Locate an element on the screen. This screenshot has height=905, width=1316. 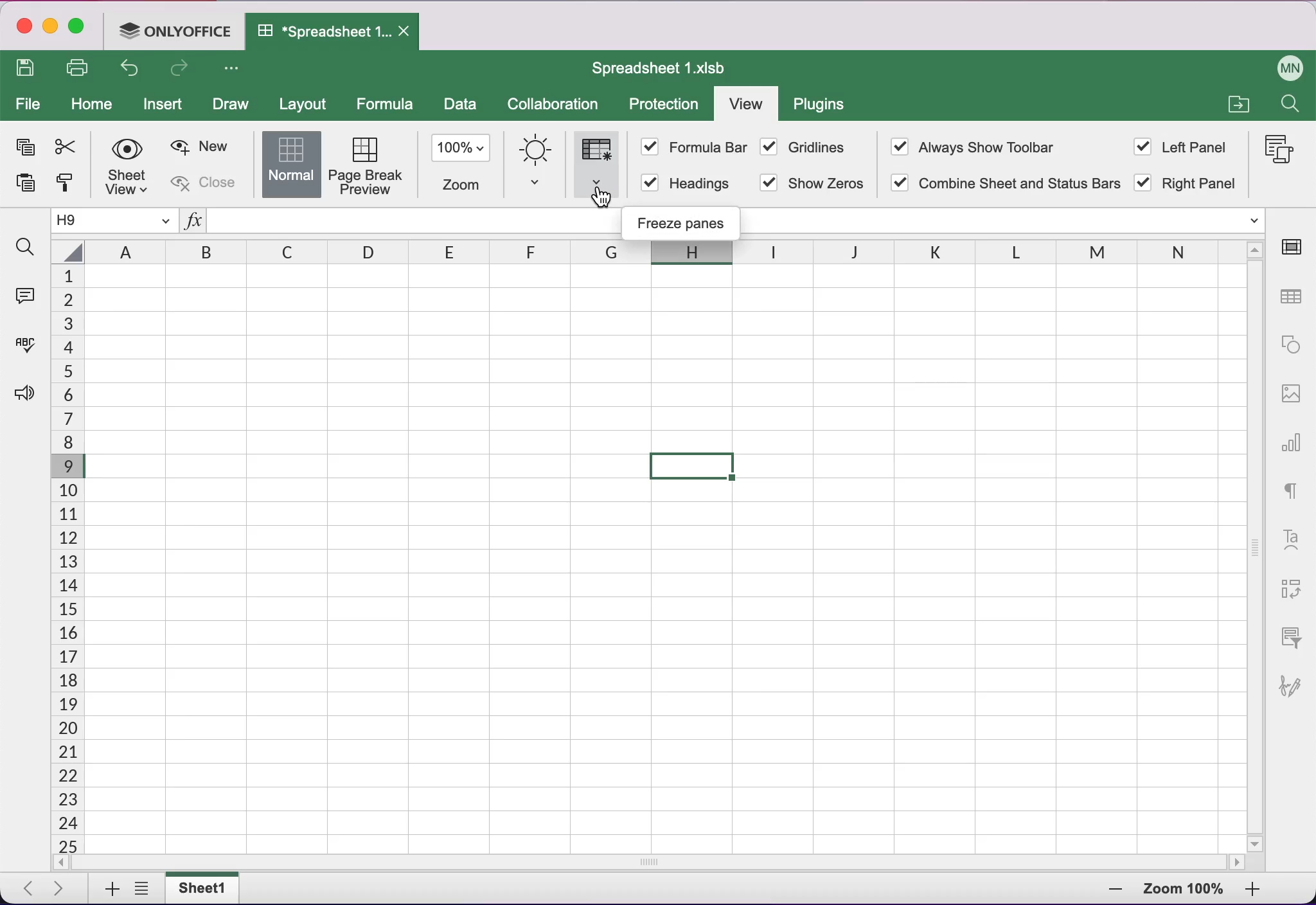
protection is located at coordinates (664, 105).